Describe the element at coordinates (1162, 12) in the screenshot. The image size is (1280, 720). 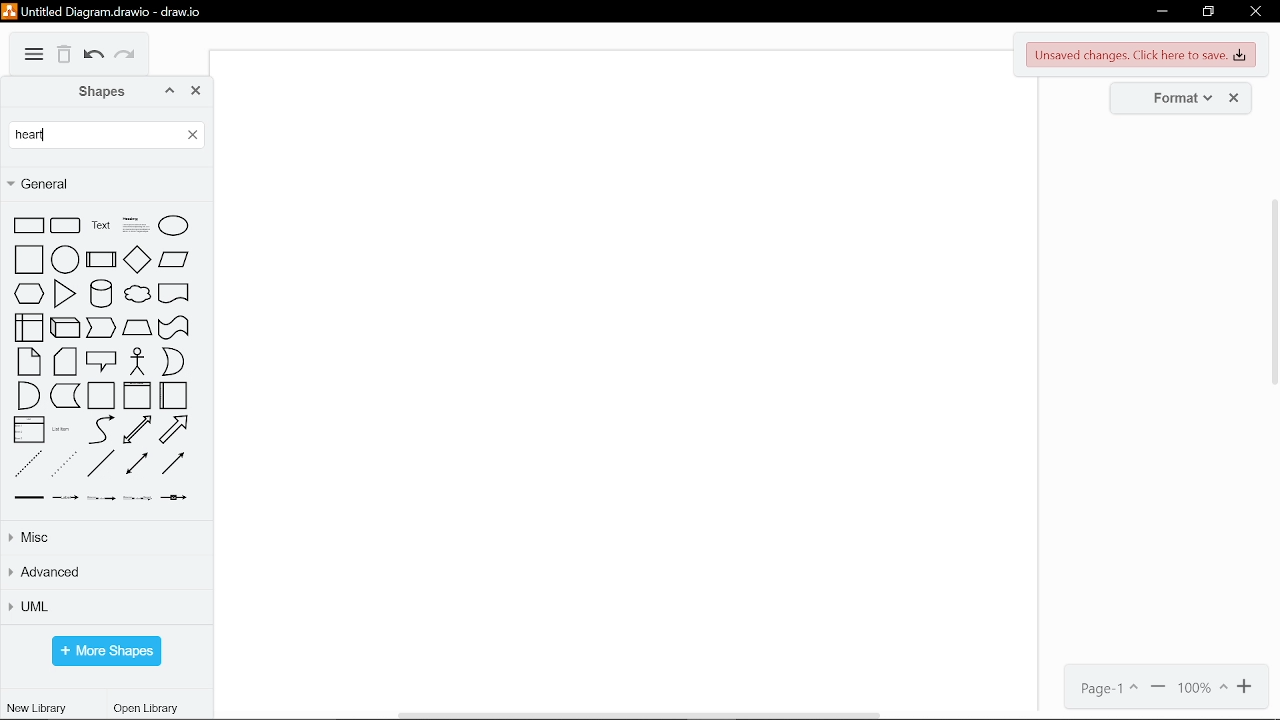
I see `minimize` at that location.